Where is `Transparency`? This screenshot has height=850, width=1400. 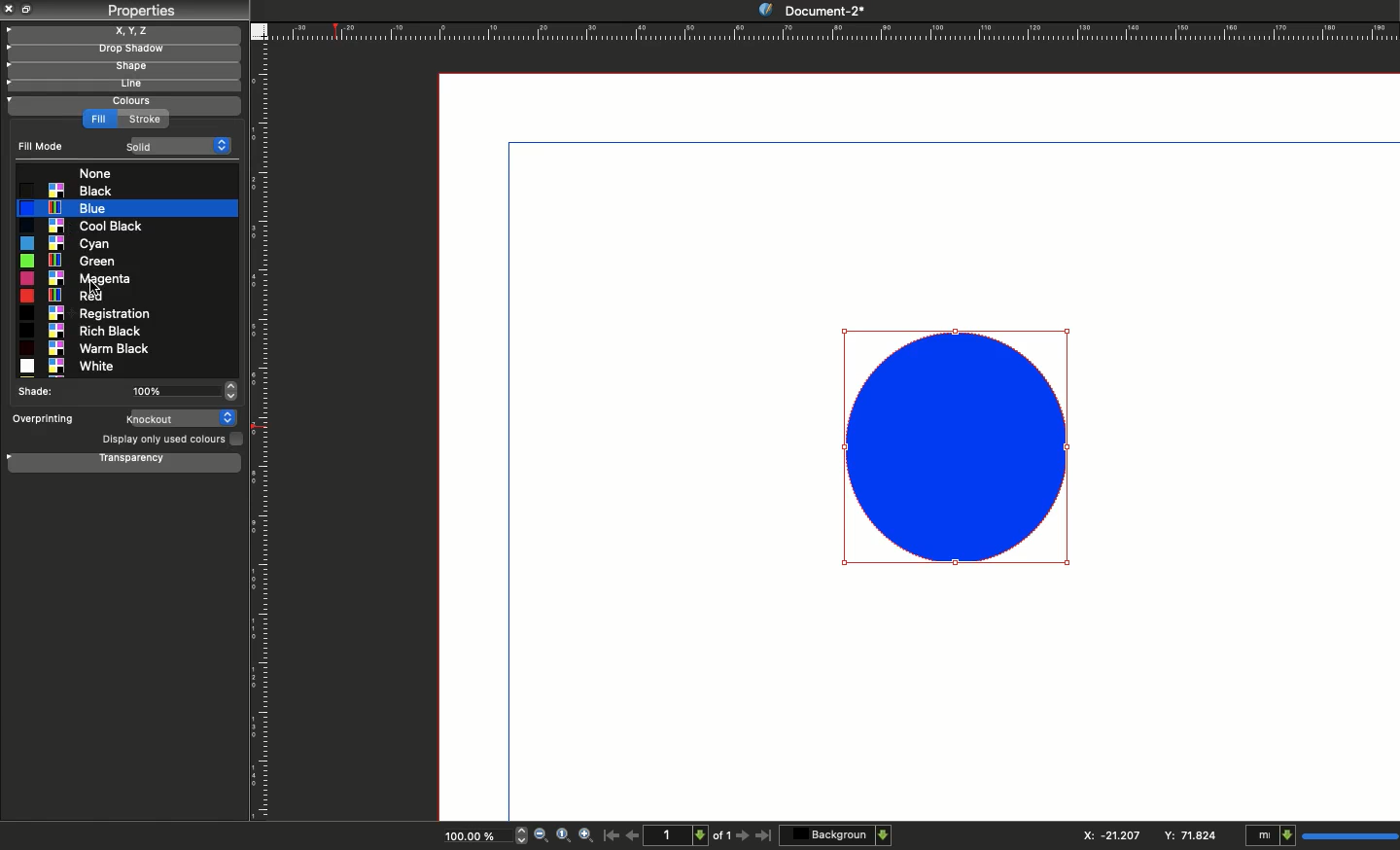
Transparency is located at coordinates (120, 465).